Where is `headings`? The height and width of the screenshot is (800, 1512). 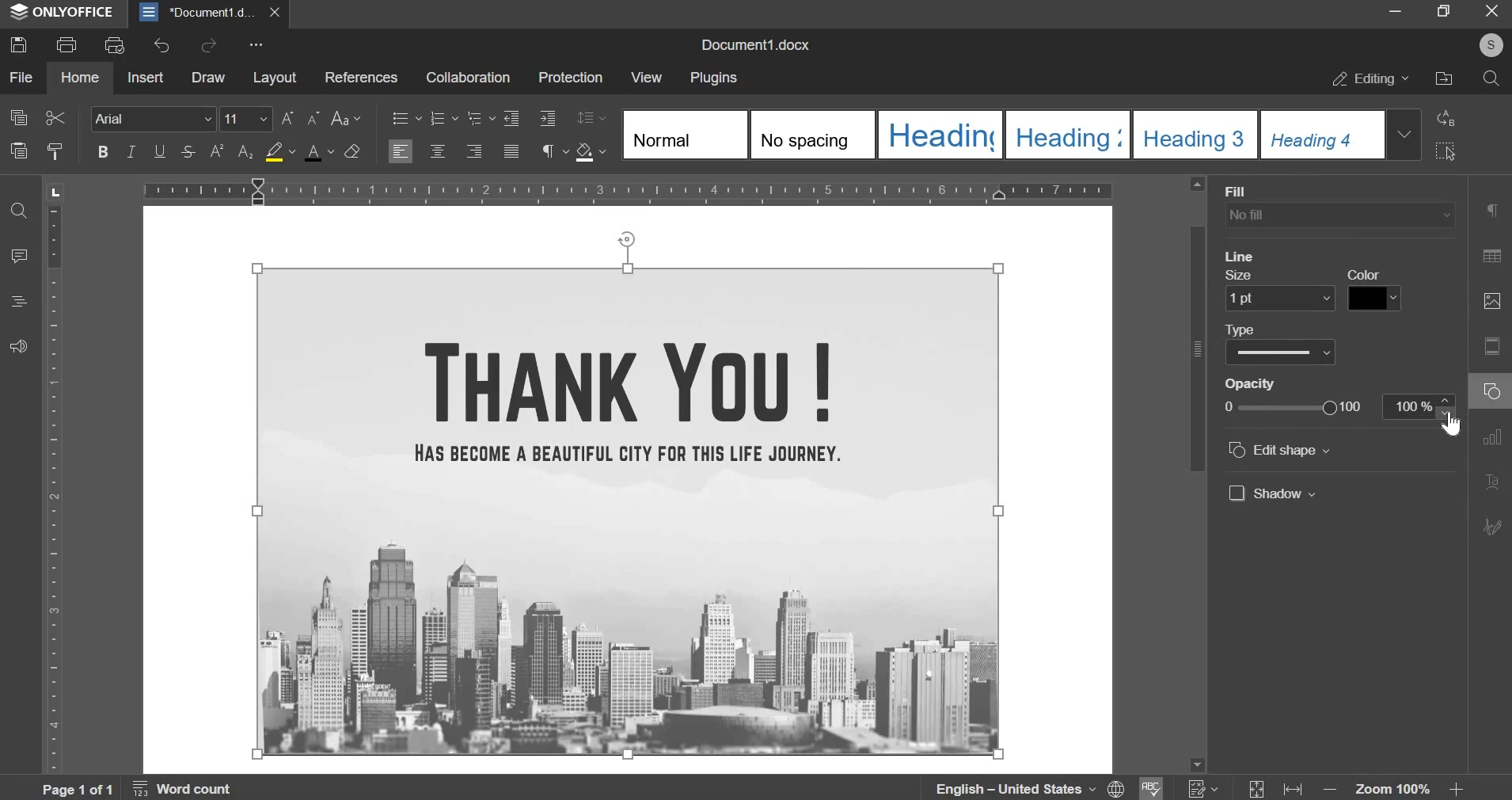
headings is located at coordinates (16, 303).